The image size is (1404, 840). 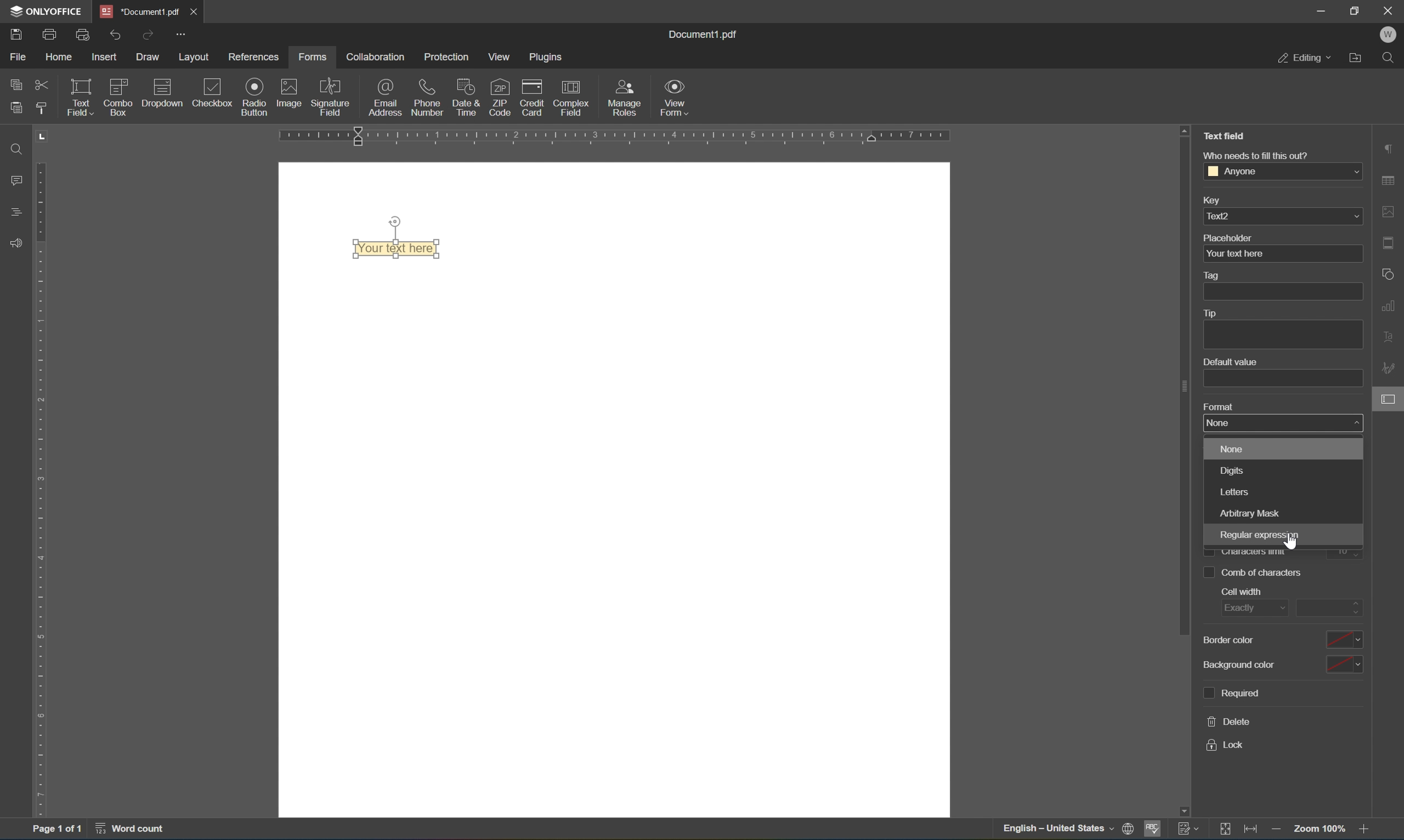 I want to click on regular expression with active cursor, so click(x=1257, y=538).